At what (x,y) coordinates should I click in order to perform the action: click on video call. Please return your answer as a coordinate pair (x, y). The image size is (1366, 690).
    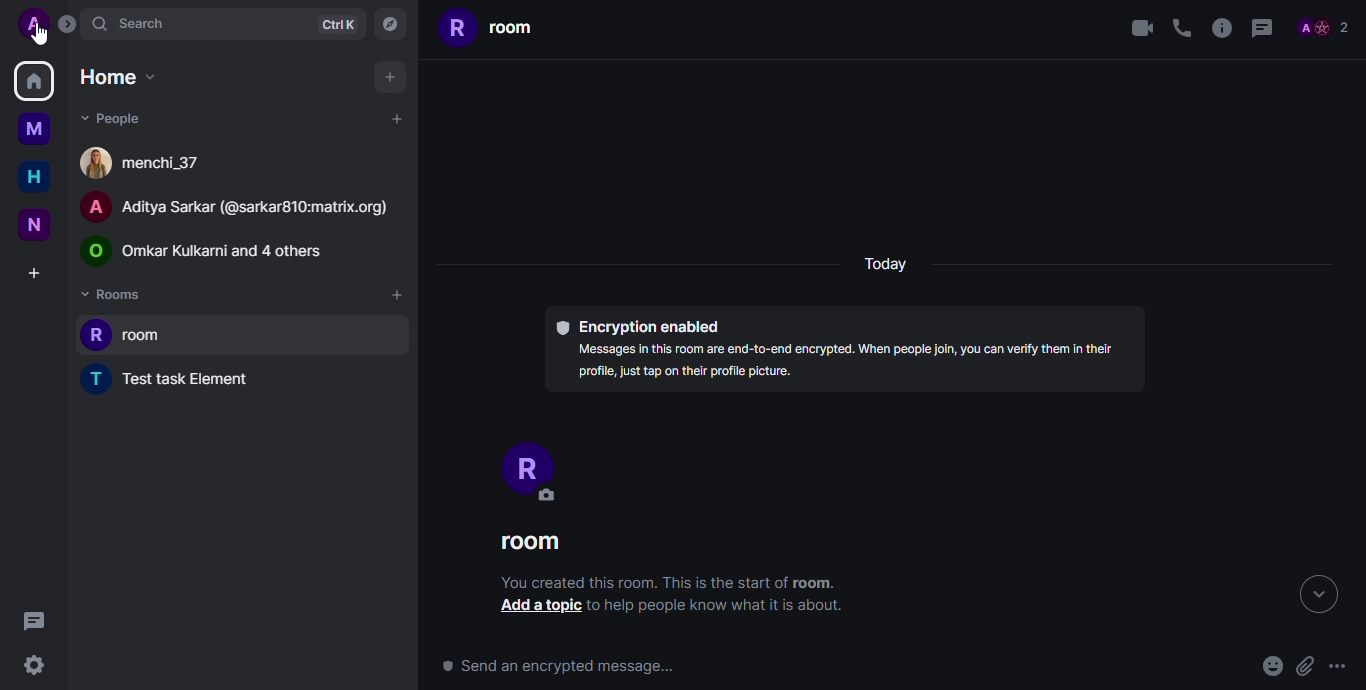
    Looking at the image, I should click on (1138, 28).